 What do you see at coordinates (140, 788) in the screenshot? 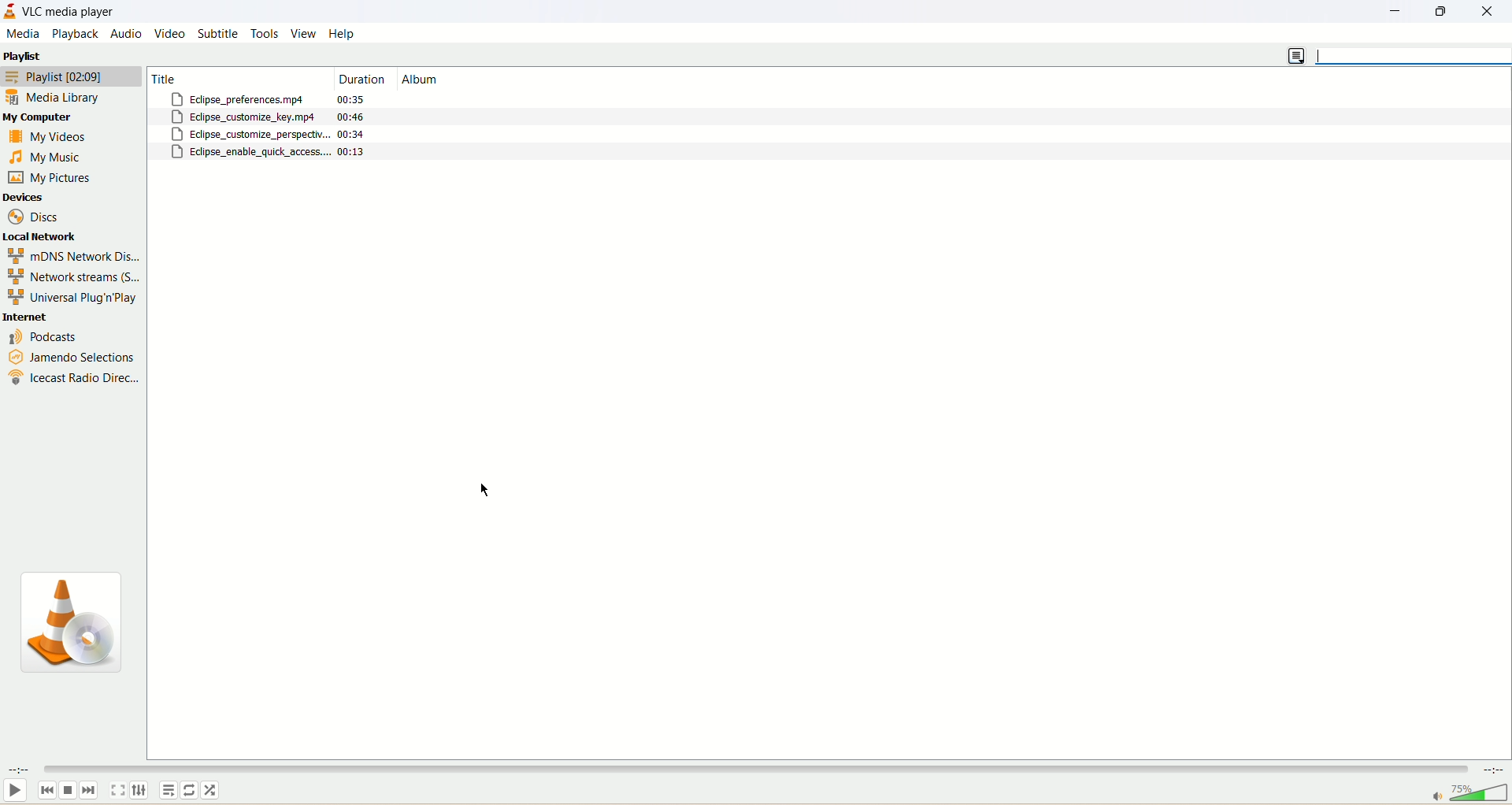
I see `extended settings` at bounding box center [140, 788].